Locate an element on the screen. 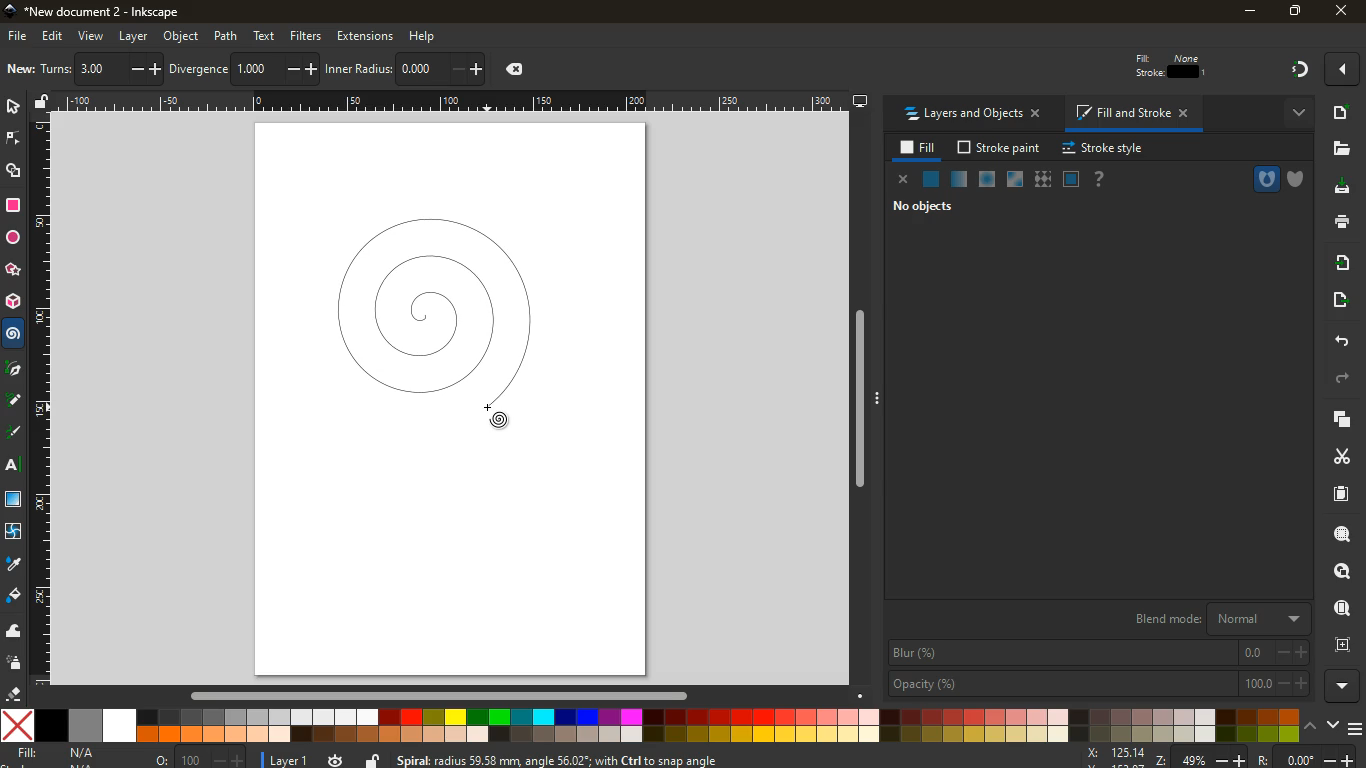  desktop is located at coordinates (860, 103).